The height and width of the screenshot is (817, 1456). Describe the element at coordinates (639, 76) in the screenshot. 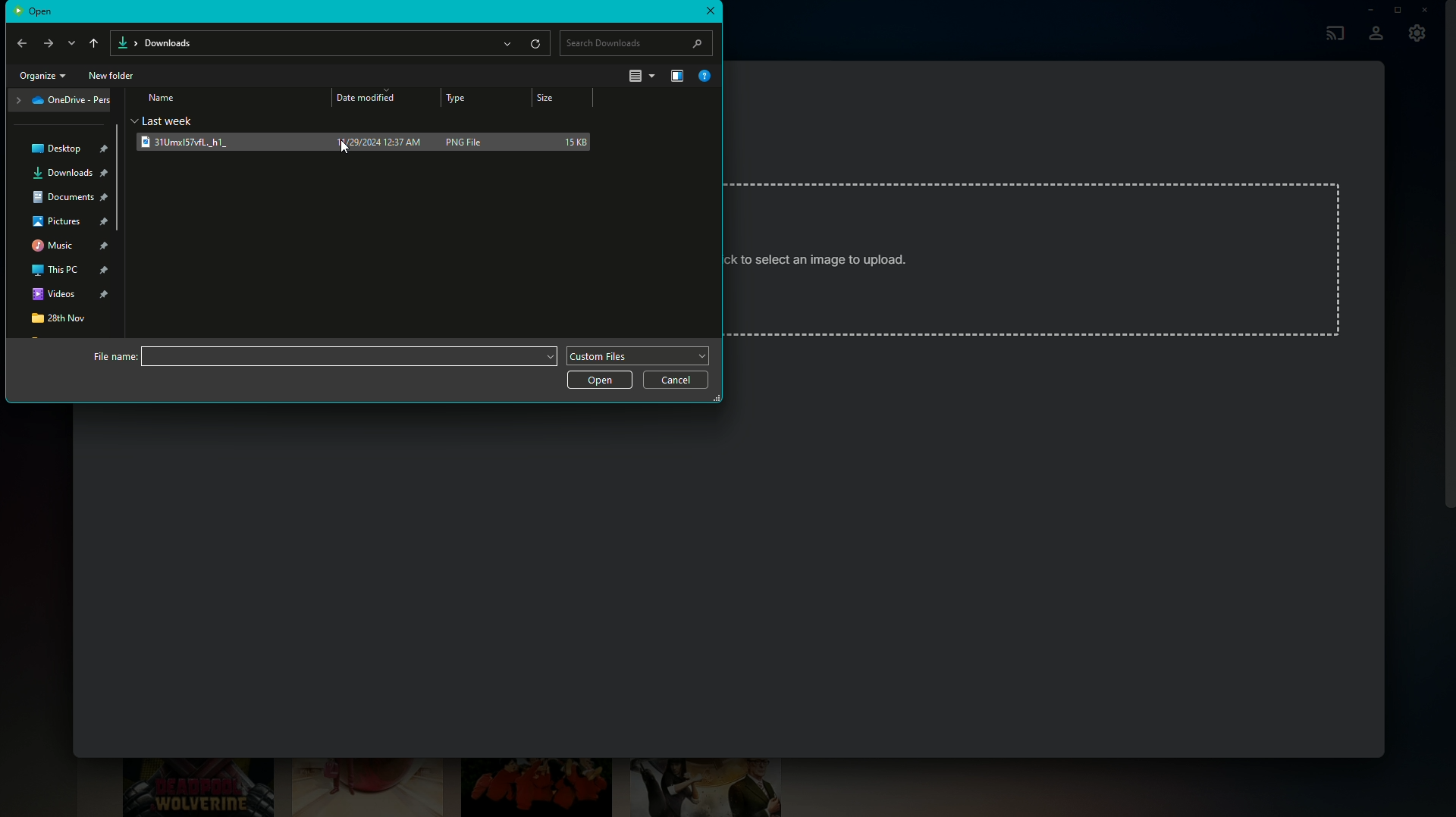

I see `Sort` at that location.